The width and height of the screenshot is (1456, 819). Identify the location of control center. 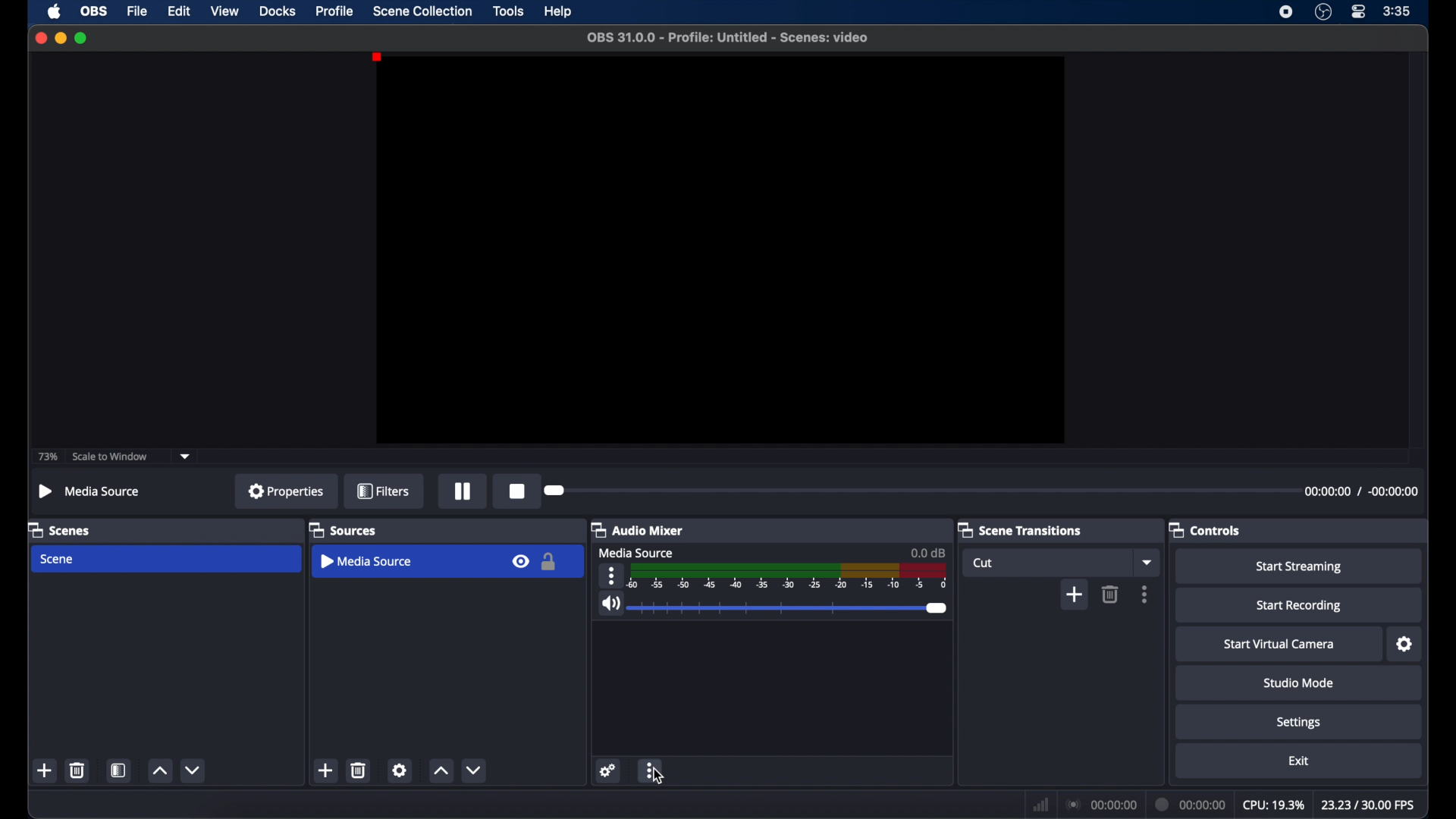
(1360, 12).